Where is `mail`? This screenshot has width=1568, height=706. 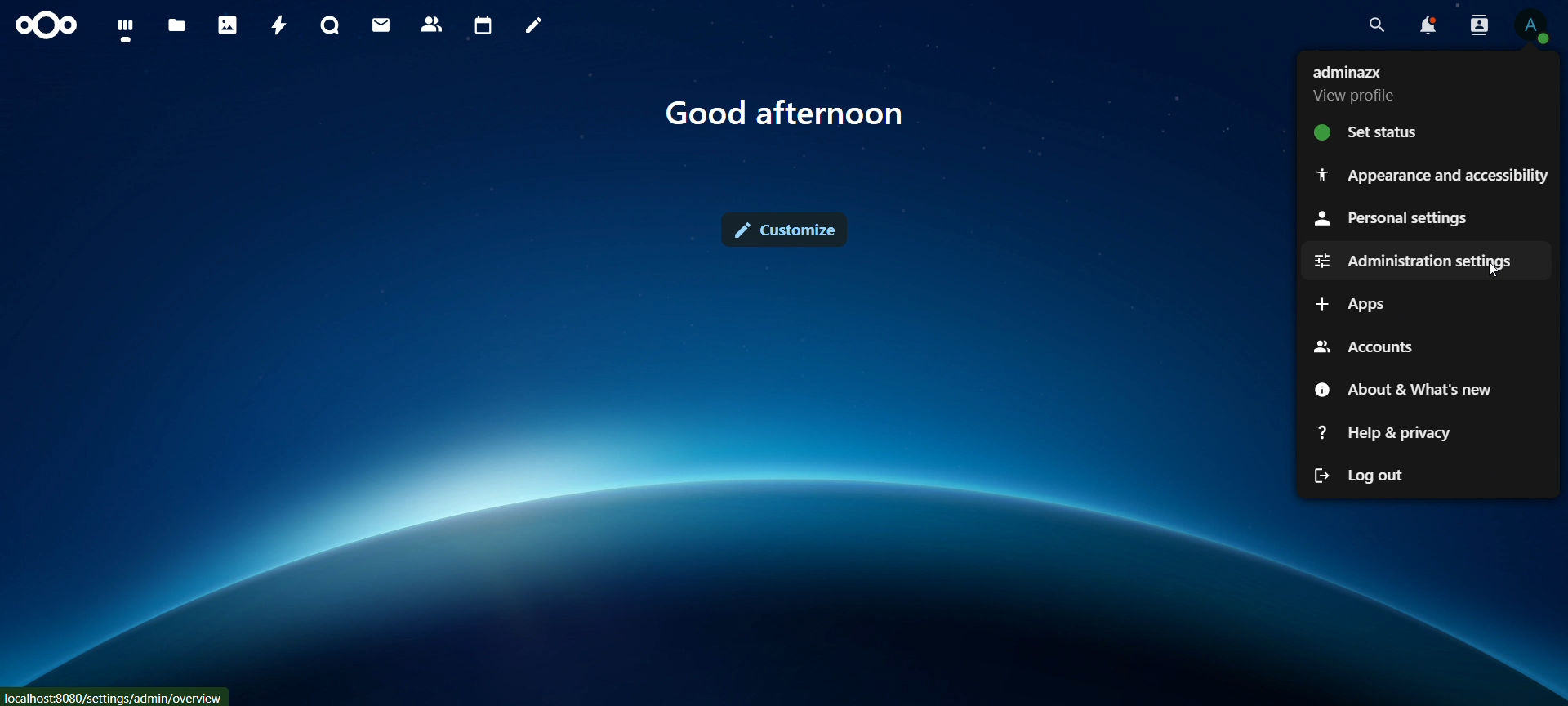
mail is located at coordinates (382, 24).